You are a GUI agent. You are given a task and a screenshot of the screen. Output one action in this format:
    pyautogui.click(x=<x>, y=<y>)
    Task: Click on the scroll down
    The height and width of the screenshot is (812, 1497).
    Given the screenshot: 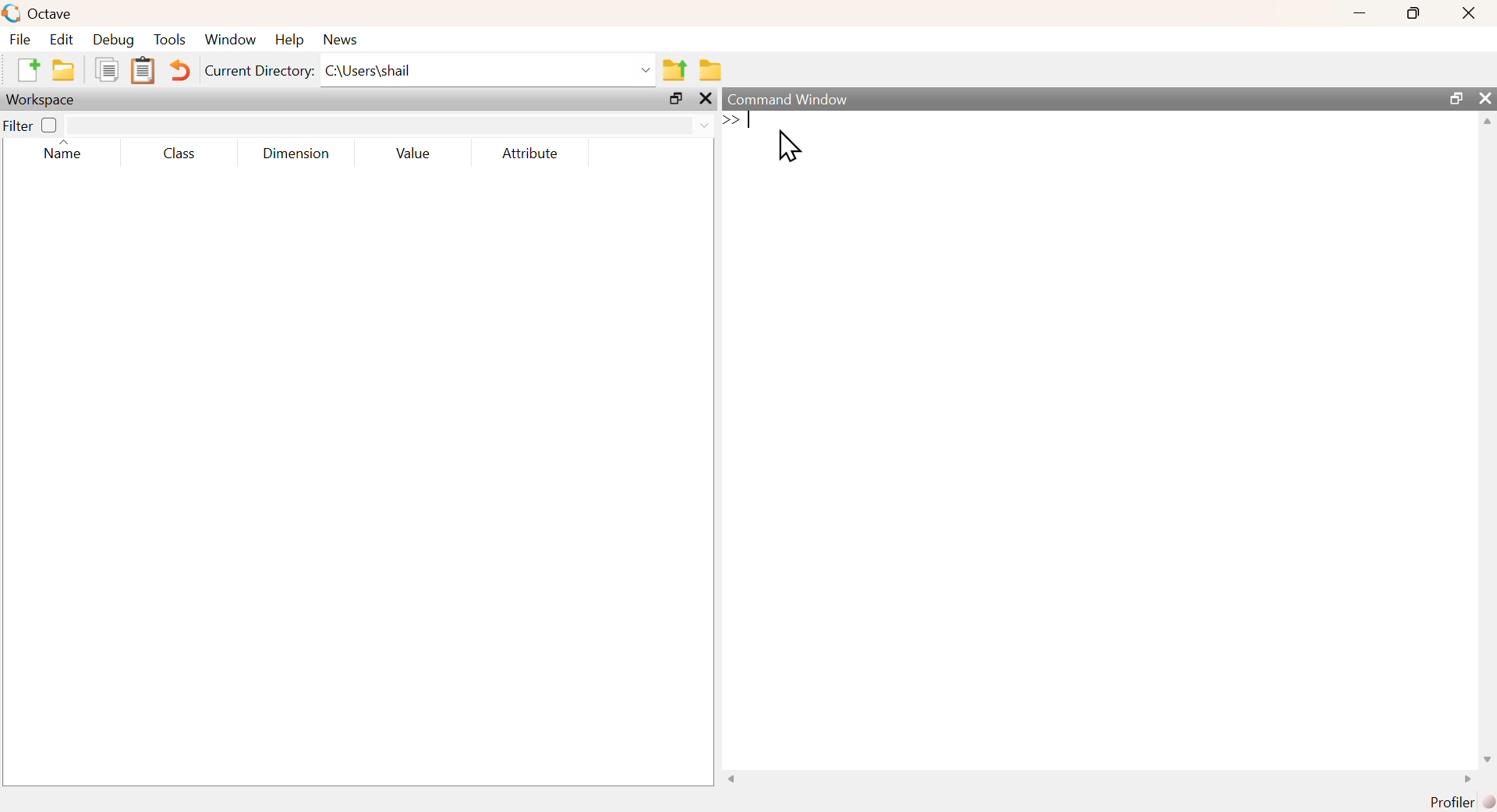 What is the action you would take?
    pyautogui.click(x=1487, y=759)
    